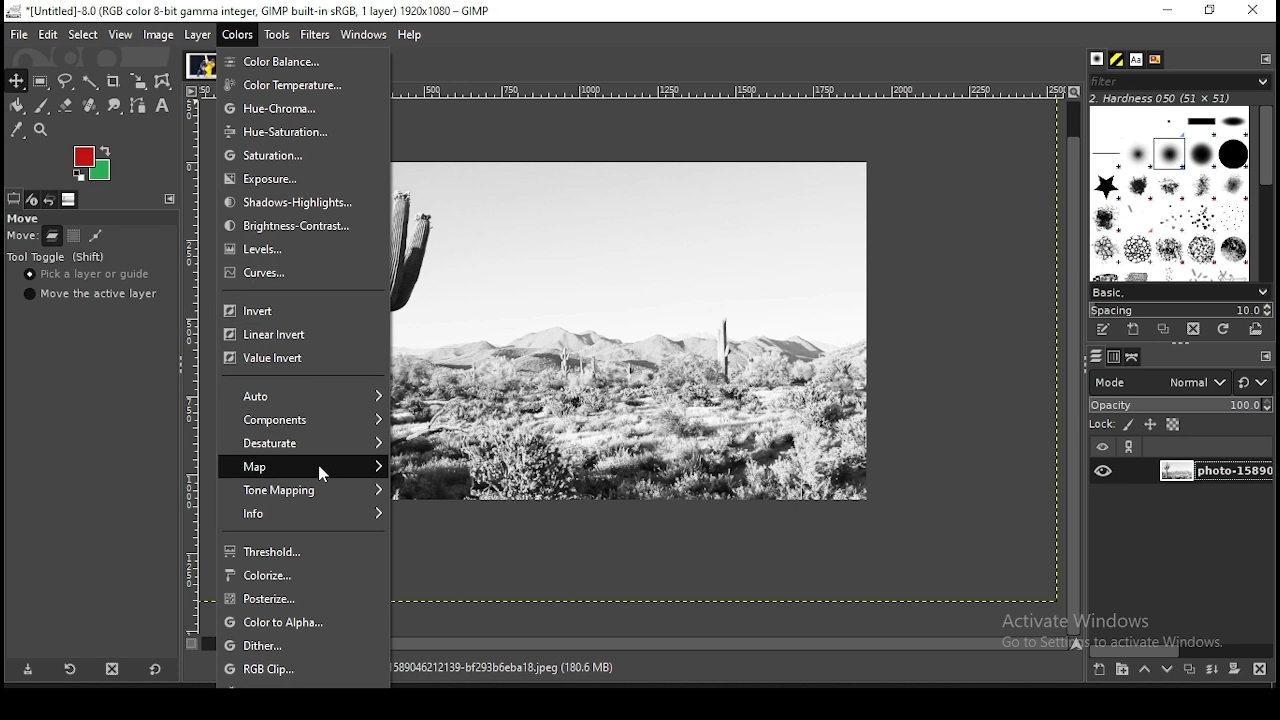  Describe the element at coordinates (1214, 669) in the screenshot. I see `merge layer` at that location.